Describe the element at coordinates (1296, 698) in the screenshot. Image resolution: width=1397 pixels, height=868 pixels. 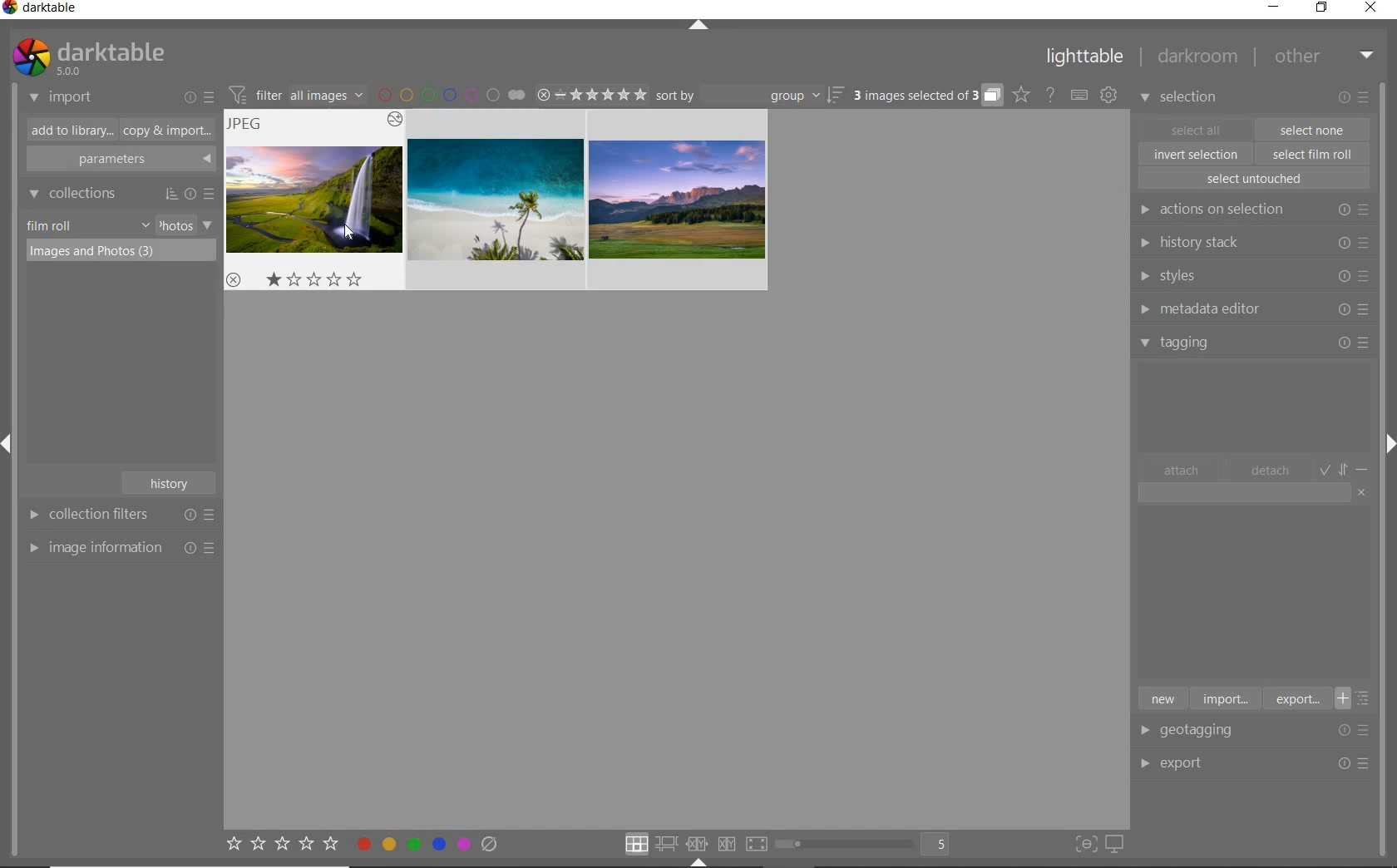
I see `export` at that location.